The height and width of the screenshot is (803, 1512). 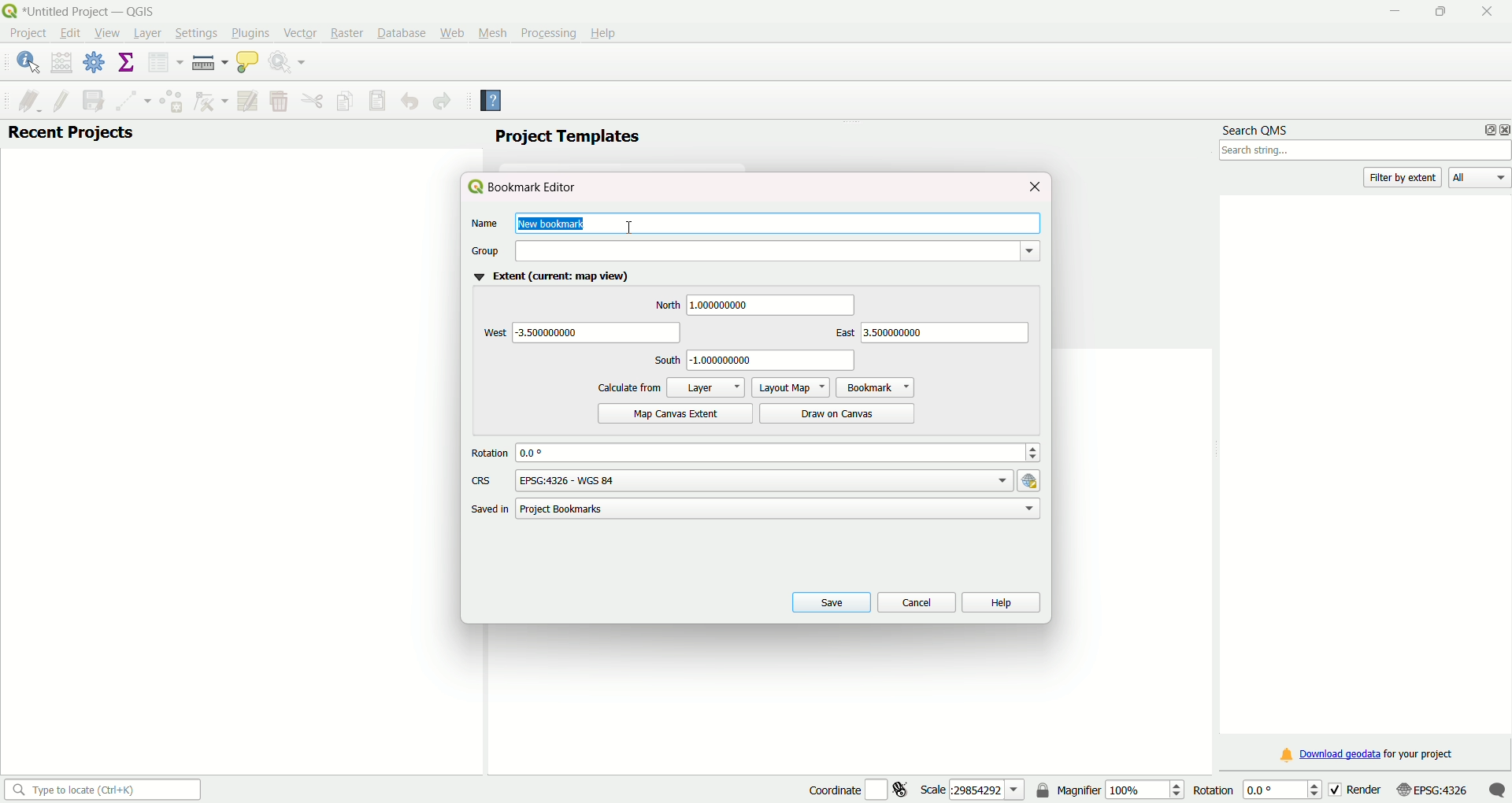 I want to click on text box, so click(x=600, y=332).